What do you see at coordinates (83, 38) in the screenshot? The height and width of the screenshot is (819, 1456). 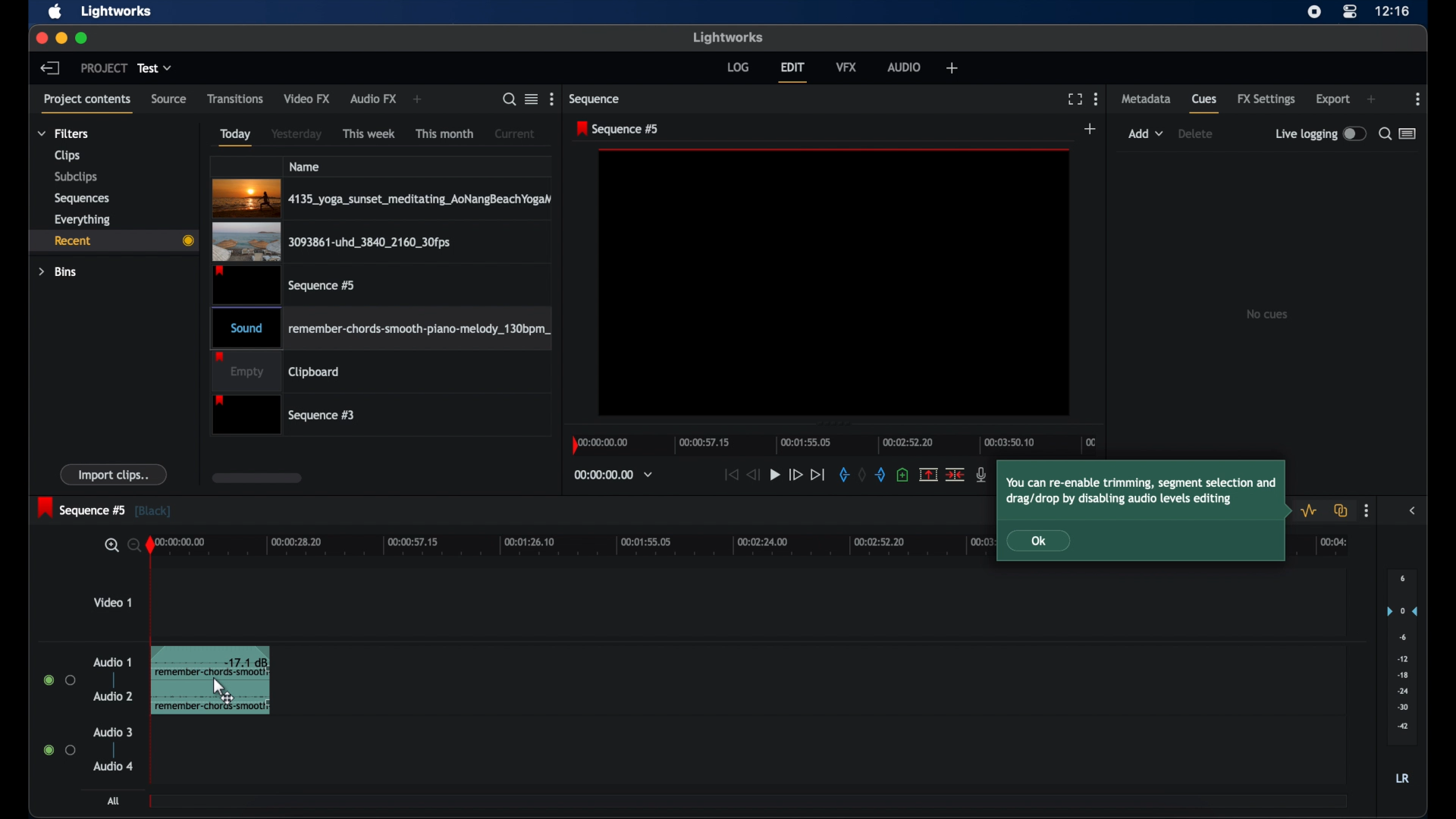 I see `maximize` at bounding box center [83, 38].